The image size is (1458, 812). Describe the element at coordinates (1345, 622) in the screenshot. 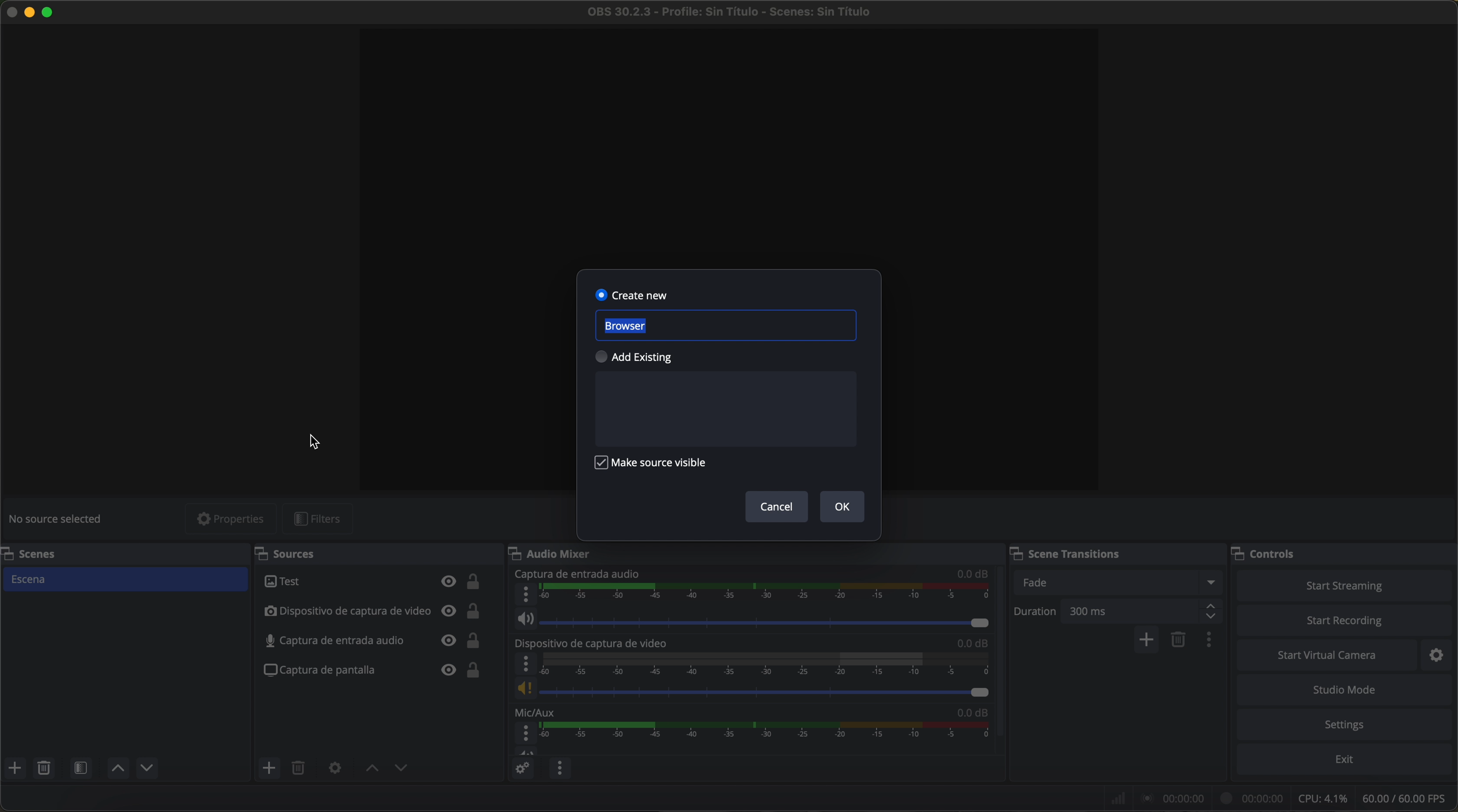

I see `start recording` at that location.